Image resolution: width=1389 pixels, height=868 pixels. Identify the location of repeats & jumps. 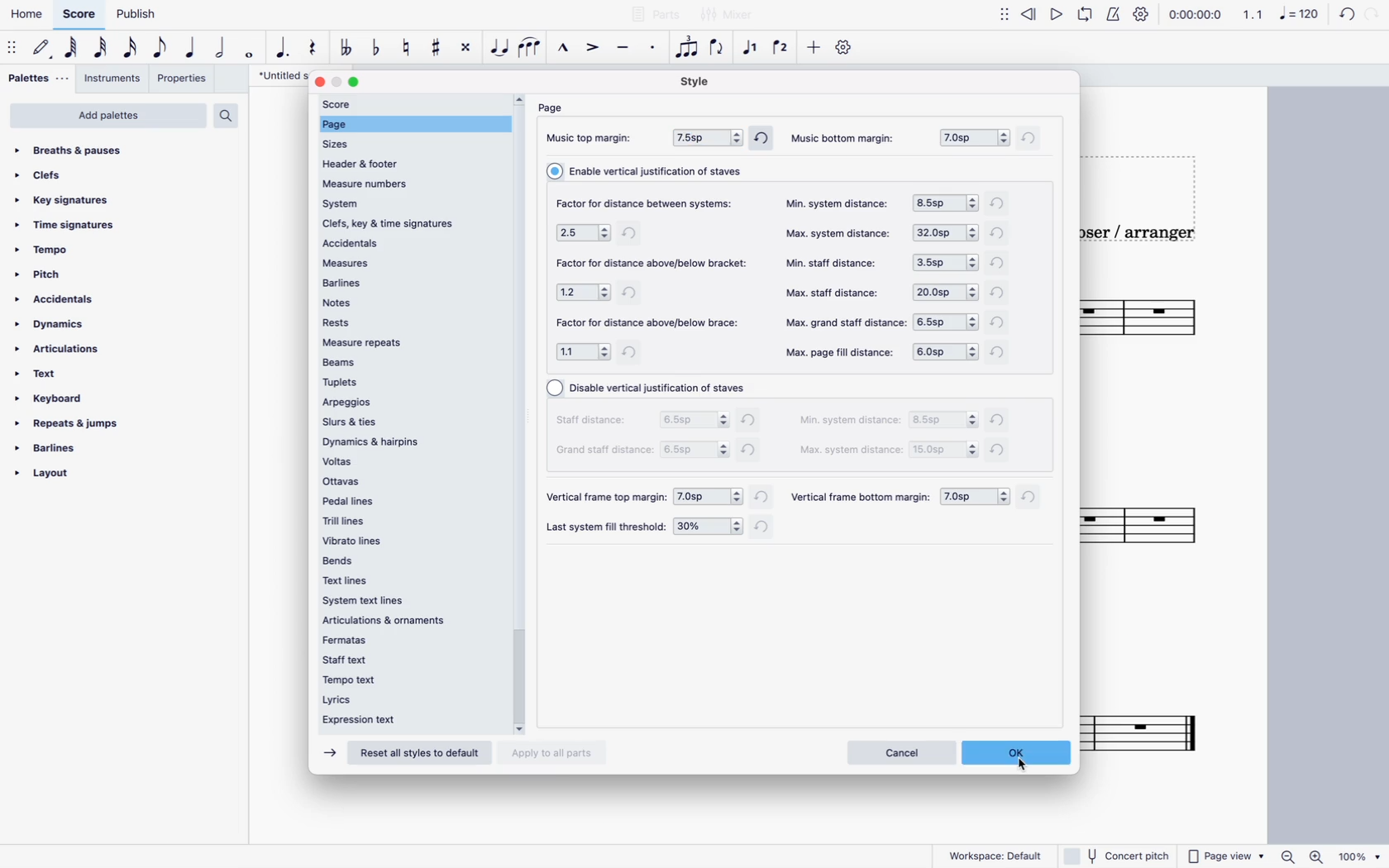
(74, 423).